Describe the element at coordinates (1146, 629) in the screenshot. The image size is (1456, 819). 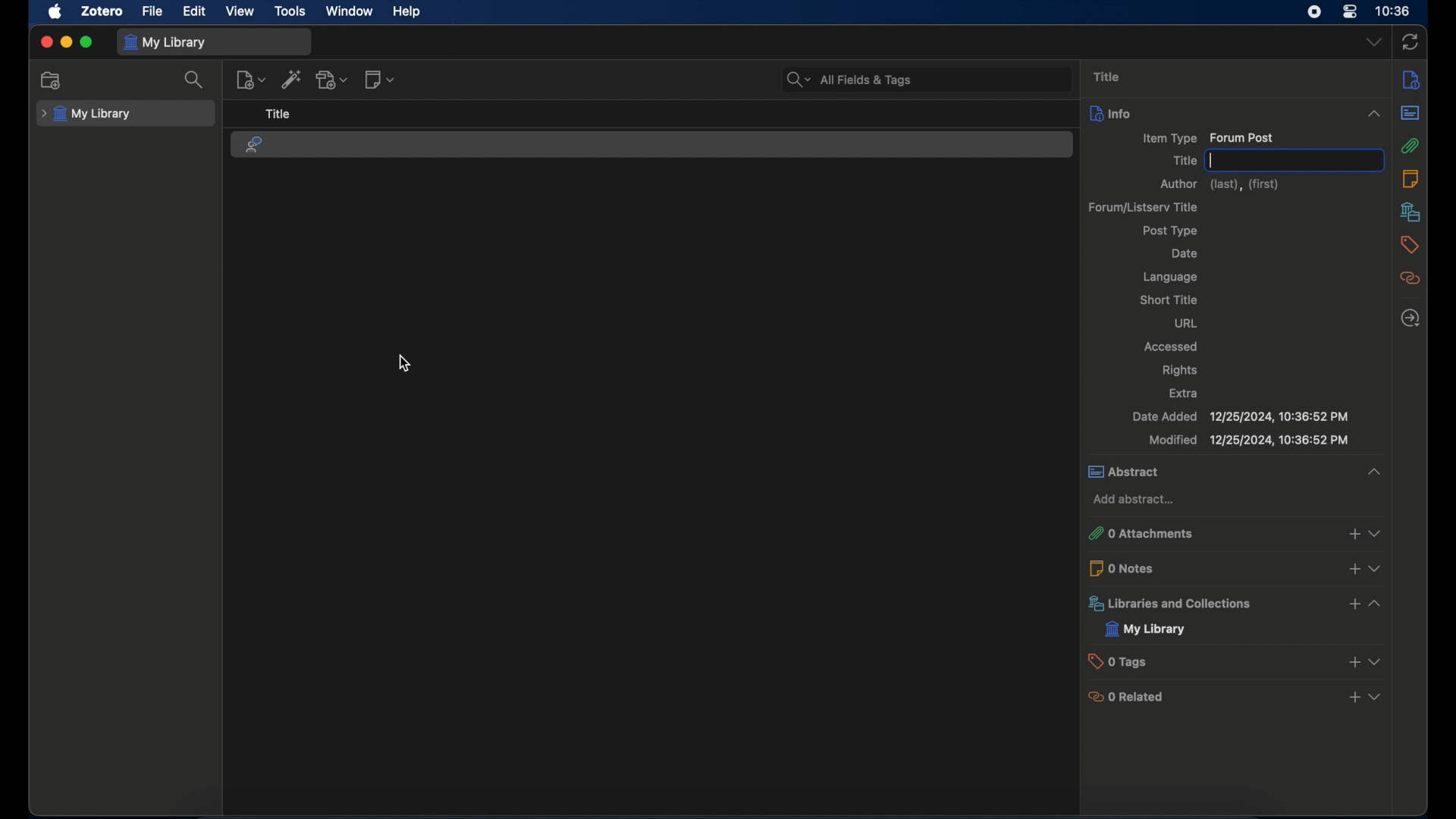
I see `my library` at that location.